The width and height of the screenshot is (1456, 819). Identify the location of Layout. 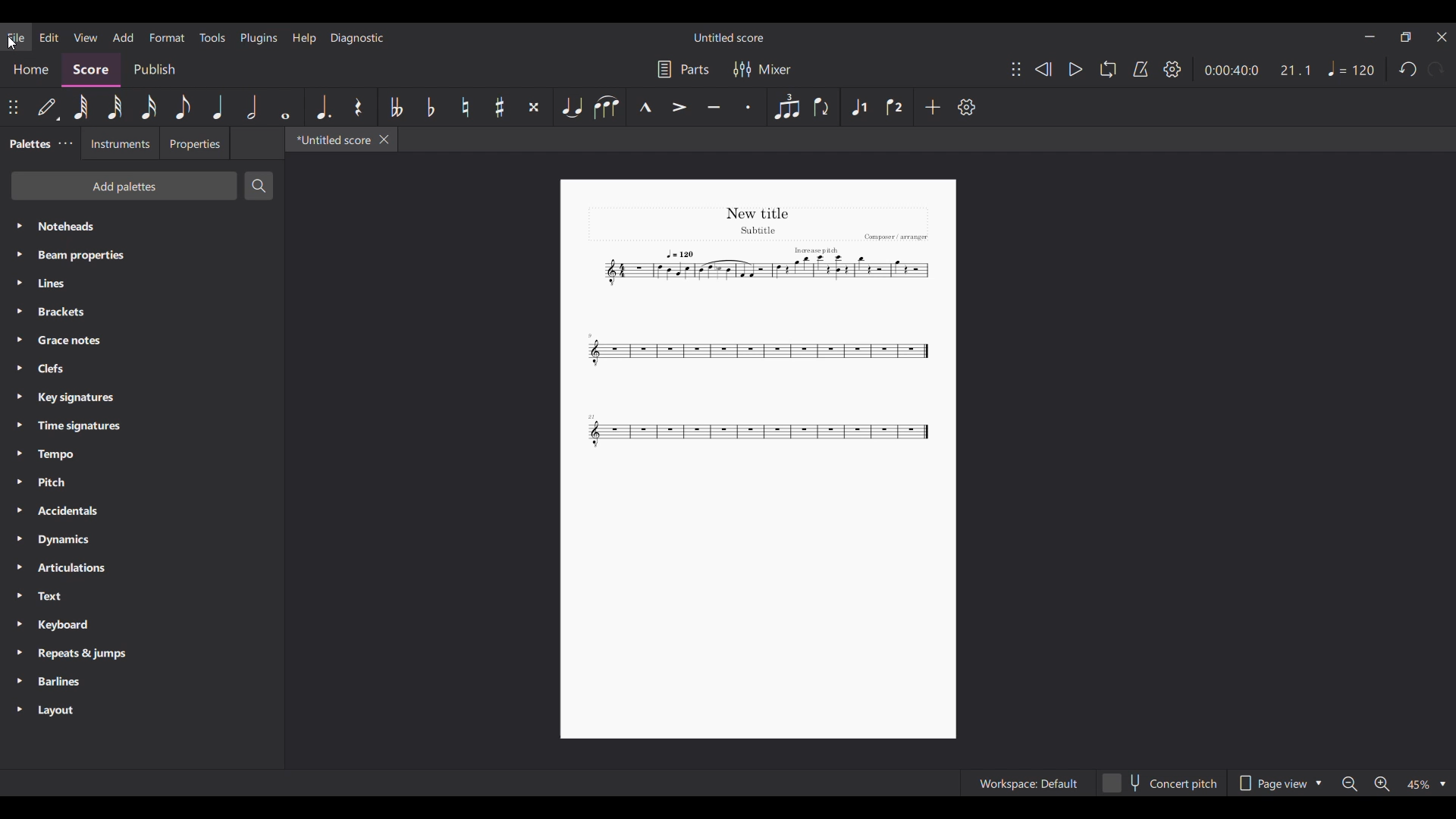
(142, 711).